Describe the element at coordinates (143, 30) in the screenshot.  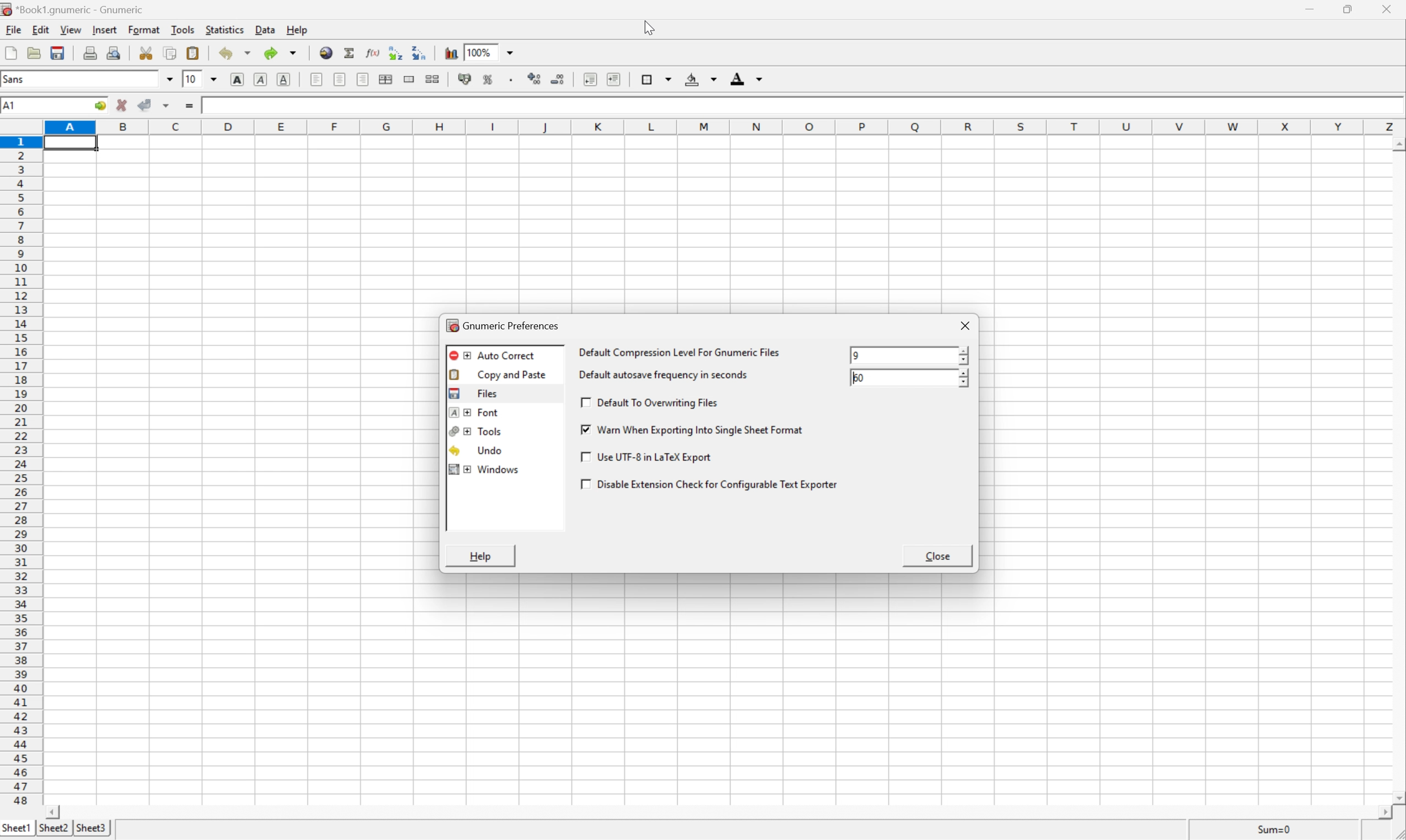
I see `format` at that location.